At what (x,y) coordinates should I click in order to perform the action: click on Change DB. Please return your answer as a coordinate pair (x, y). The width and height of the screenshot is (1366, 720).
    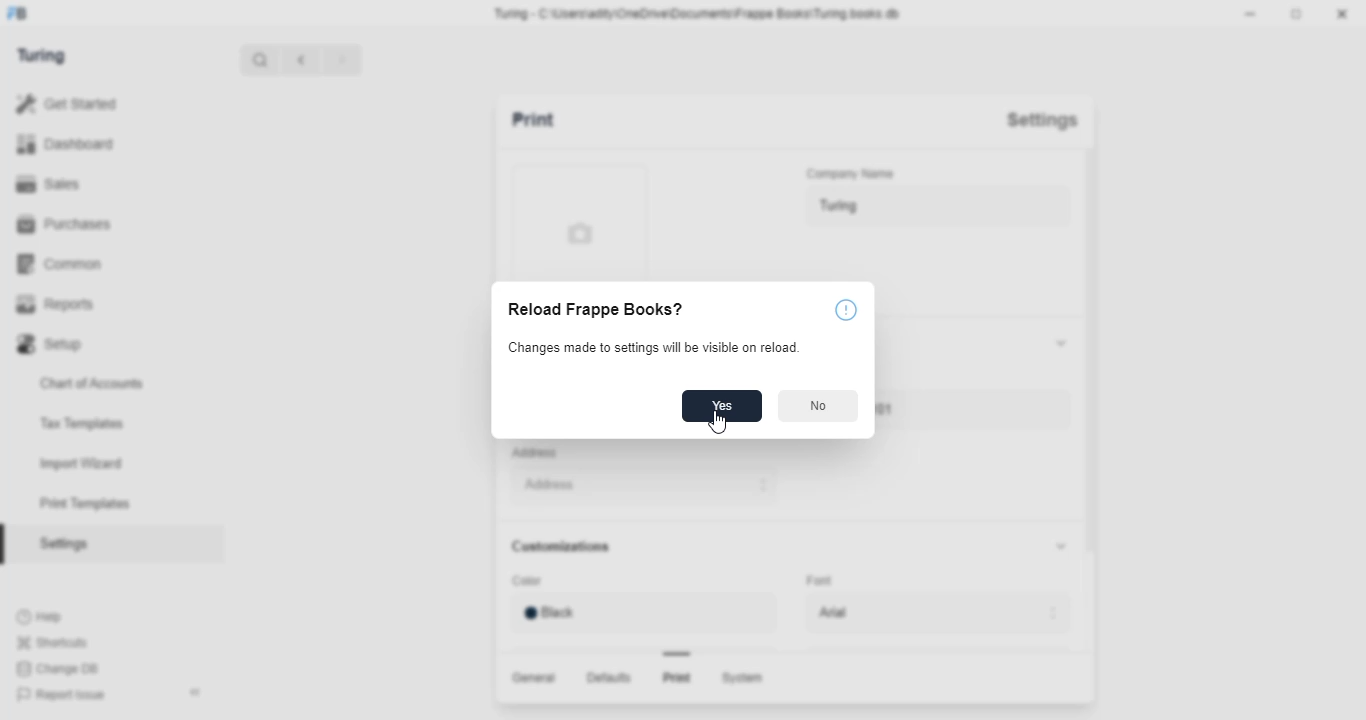
    Looking at the image, I should click on (60, 670).